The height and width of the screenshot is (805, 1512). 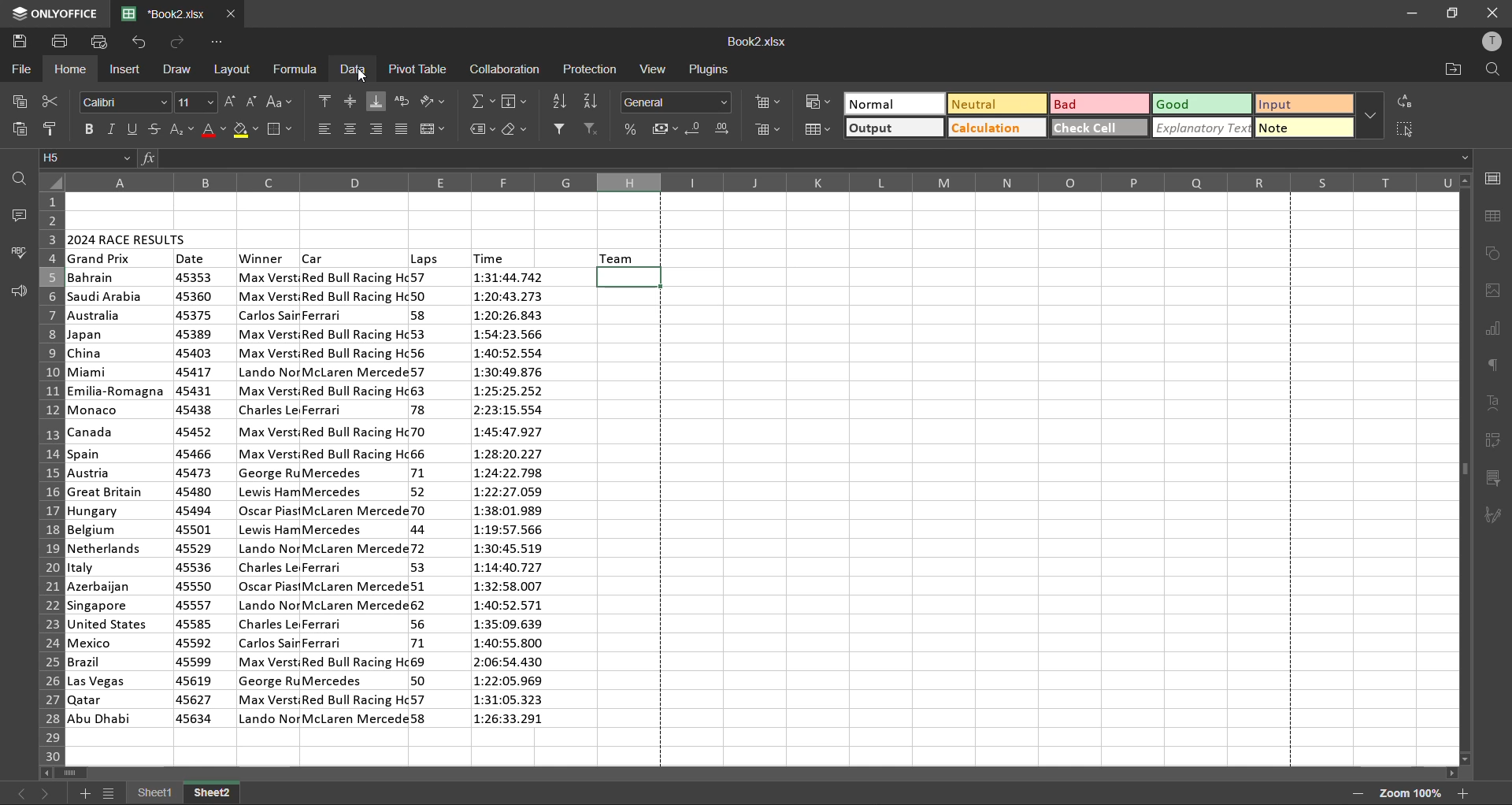 What do you see at coordinates (618, 257) in the screenshot?
I see `team` at bounding box center [618, 257].